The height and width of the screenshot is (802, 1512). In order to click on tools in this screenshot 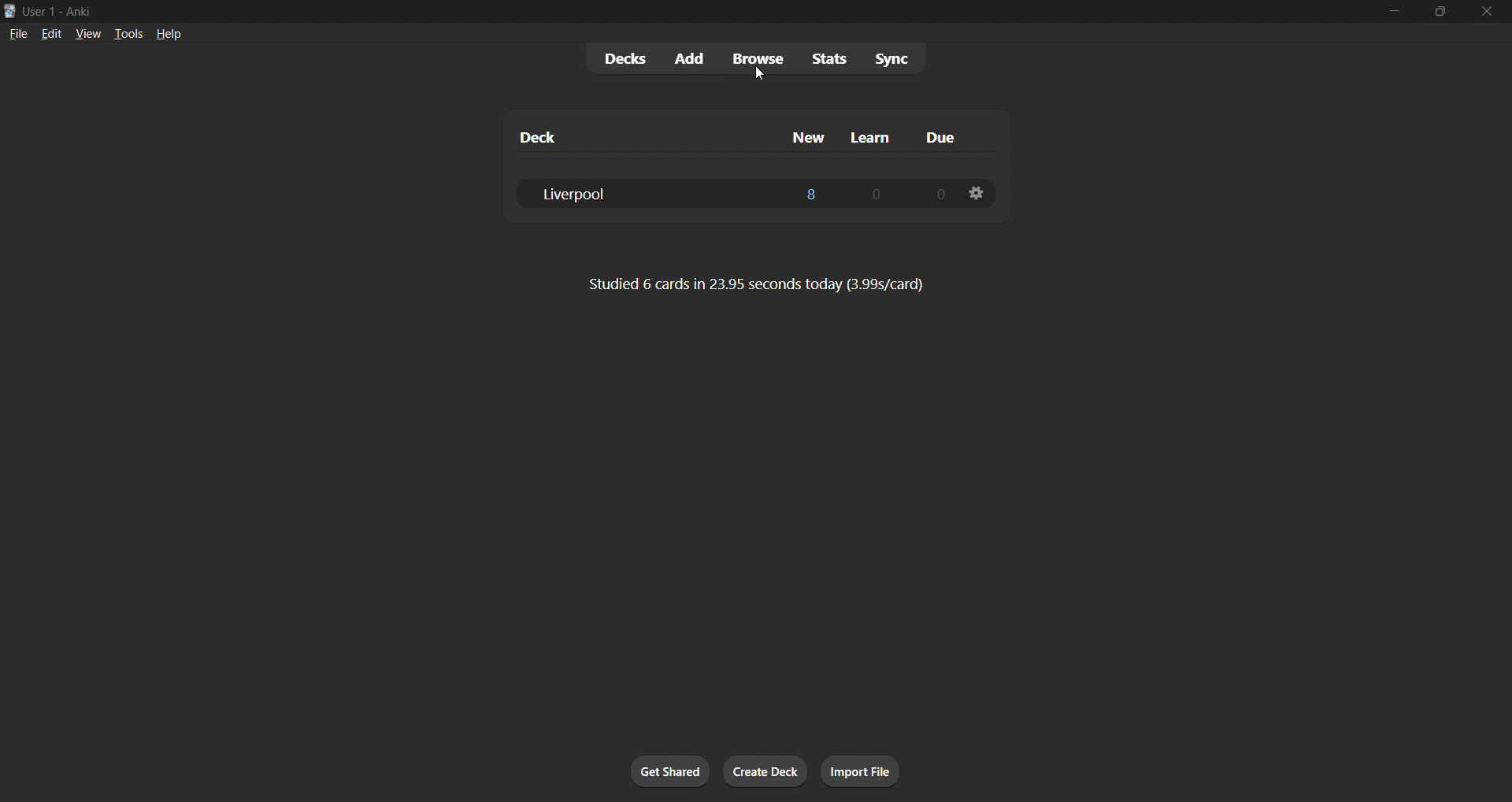, I will do `click(128, 35)`.